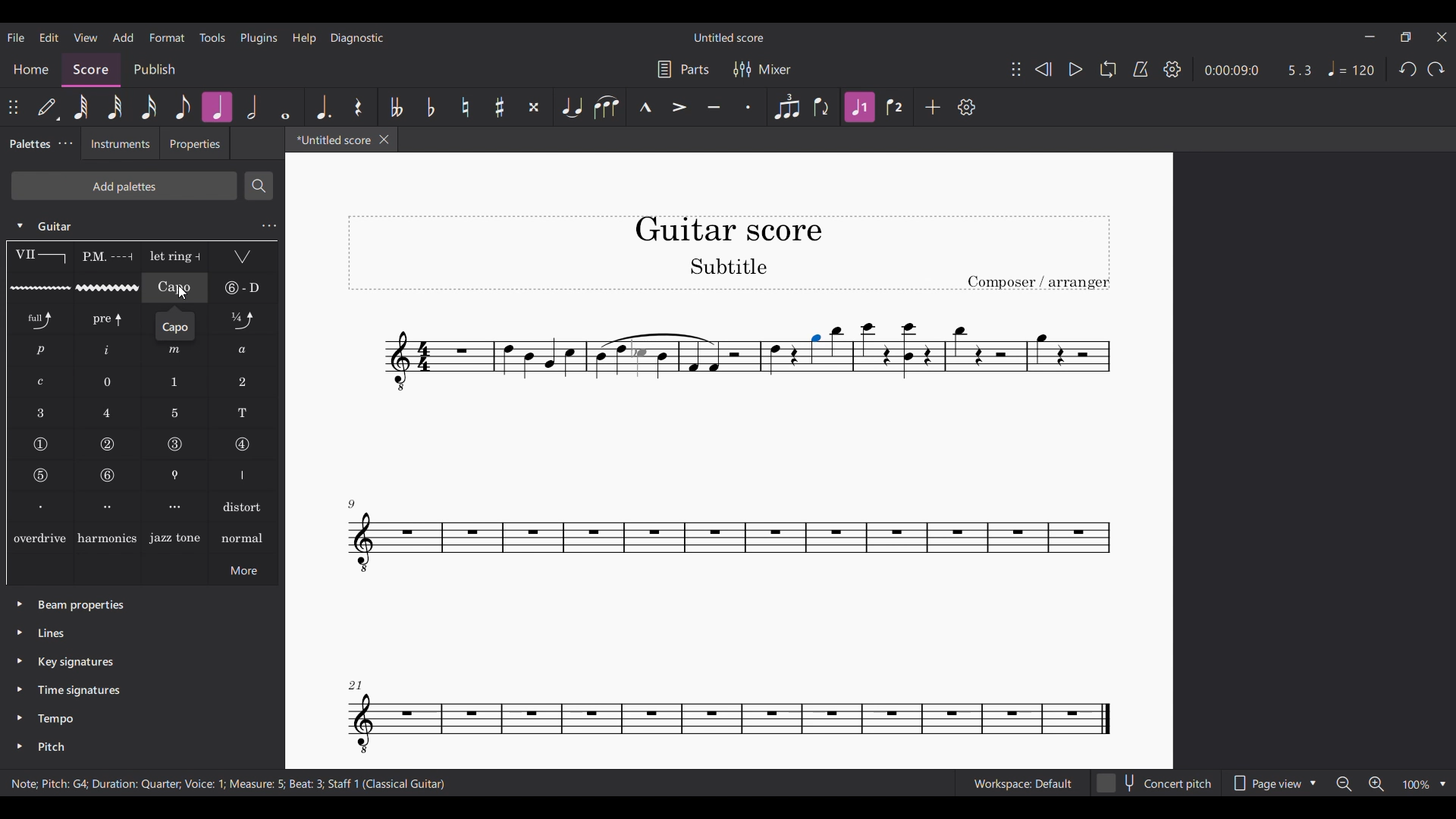  I want to click on File menu, so click(17, 37).